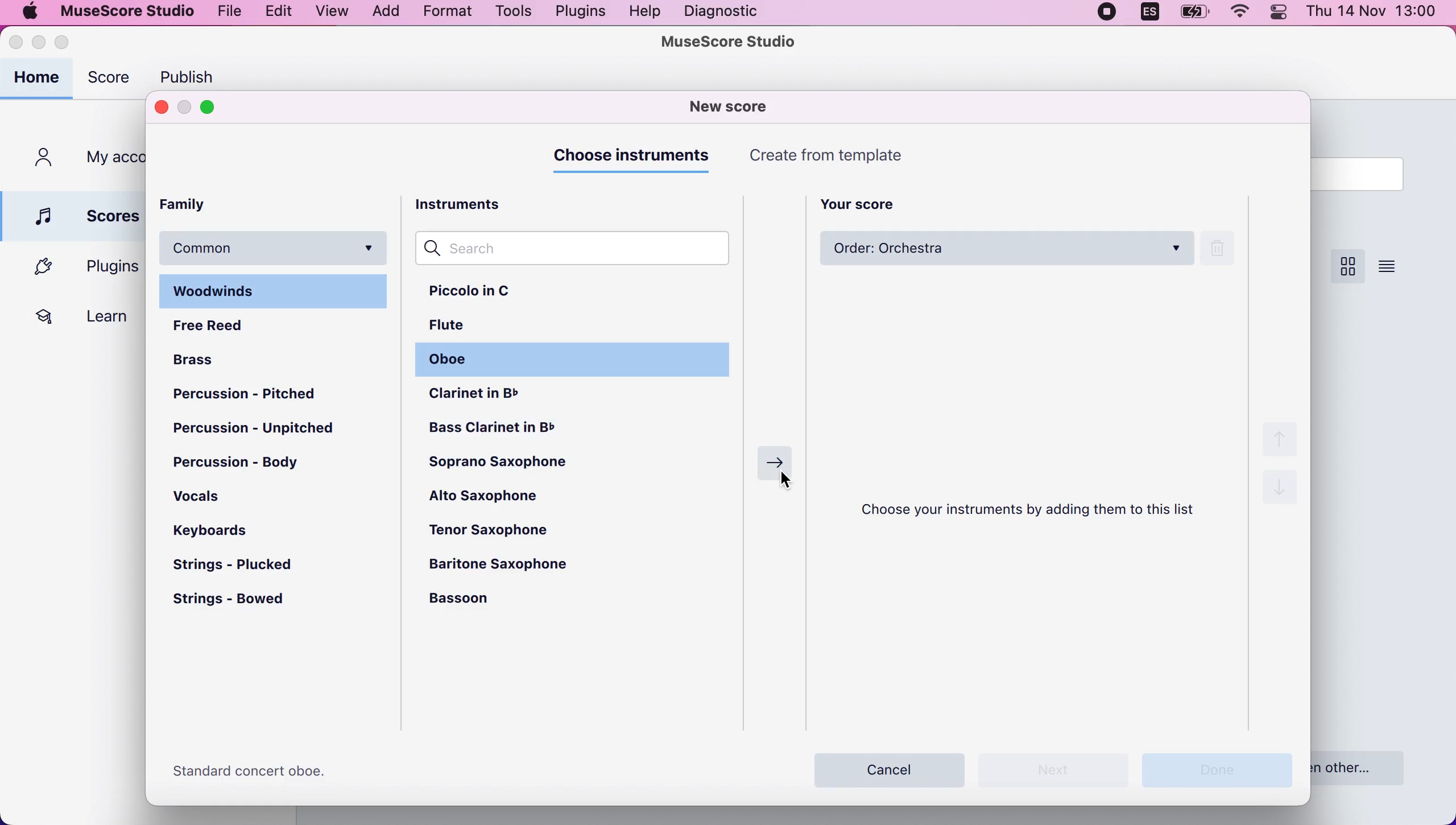 The height and width of the screenshot is (825, 1456). I want to click on wifi, so click(1243, 15).